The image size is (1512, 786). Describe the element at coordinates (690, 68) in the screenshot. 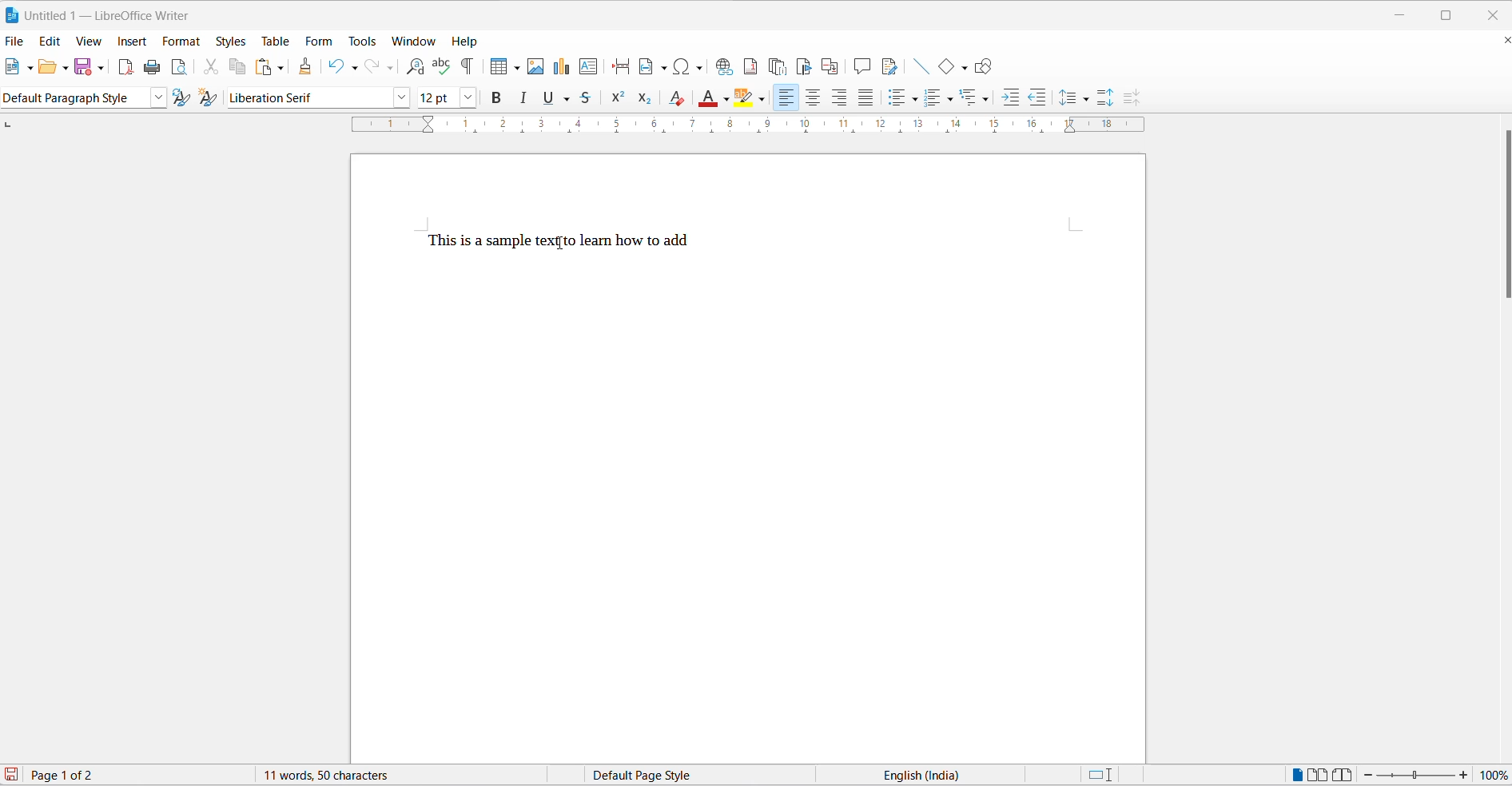

I see `special characters` at that location.